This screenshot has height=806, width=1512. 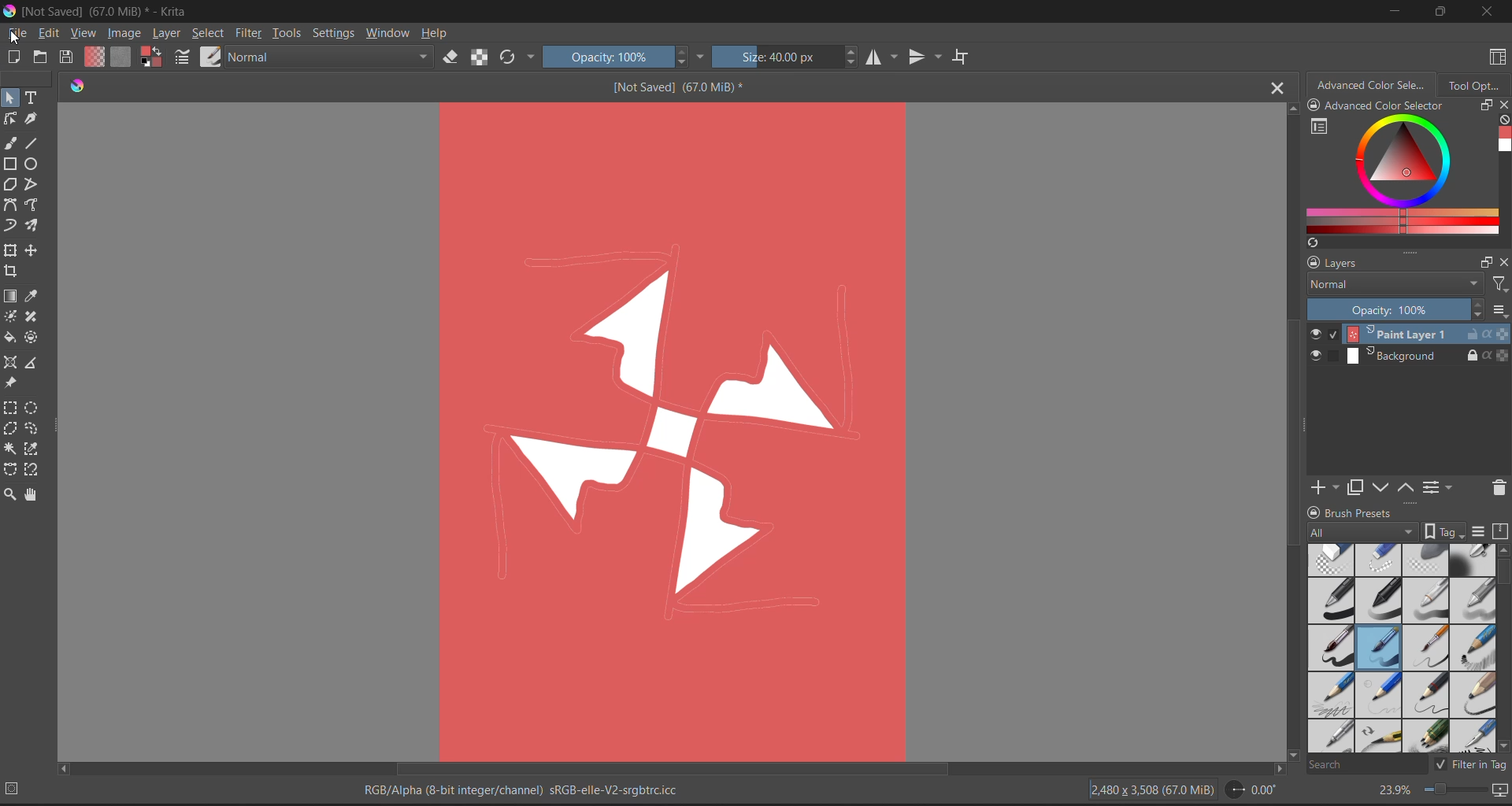 What do you see at coordinates (1387, 264) in the screenshot?
I see `layers` at bounding box center [1387, 264].